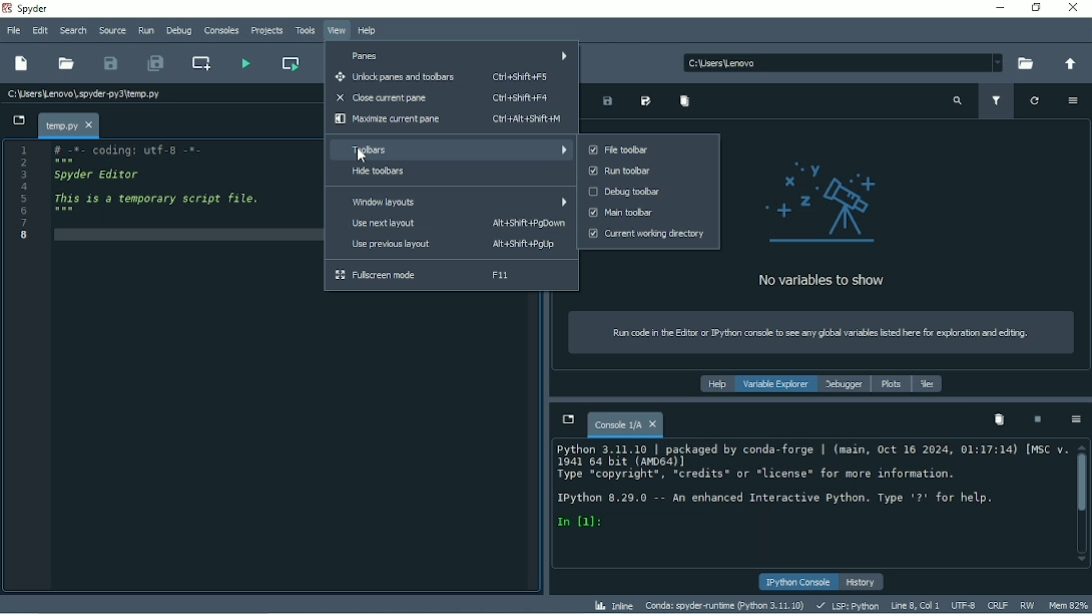 Image resolution: width=1092 pixels, height=614 pixels. What do you see at coordinates (725, 605) in the screenshot?
I see `Conda` at bounding box center [725, 605].